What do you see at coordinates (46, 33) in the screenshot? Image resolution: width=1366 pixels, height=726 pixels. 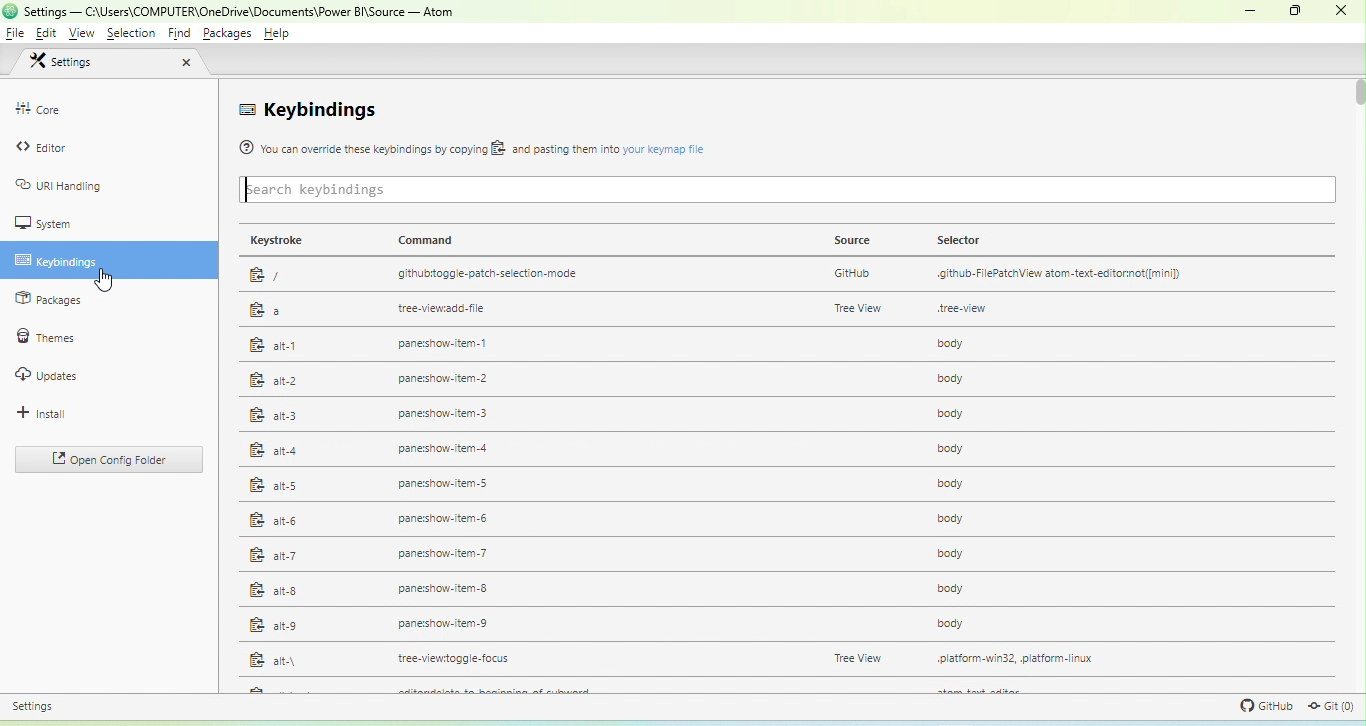 I see `edit menu` at bounding box center [46, 33].